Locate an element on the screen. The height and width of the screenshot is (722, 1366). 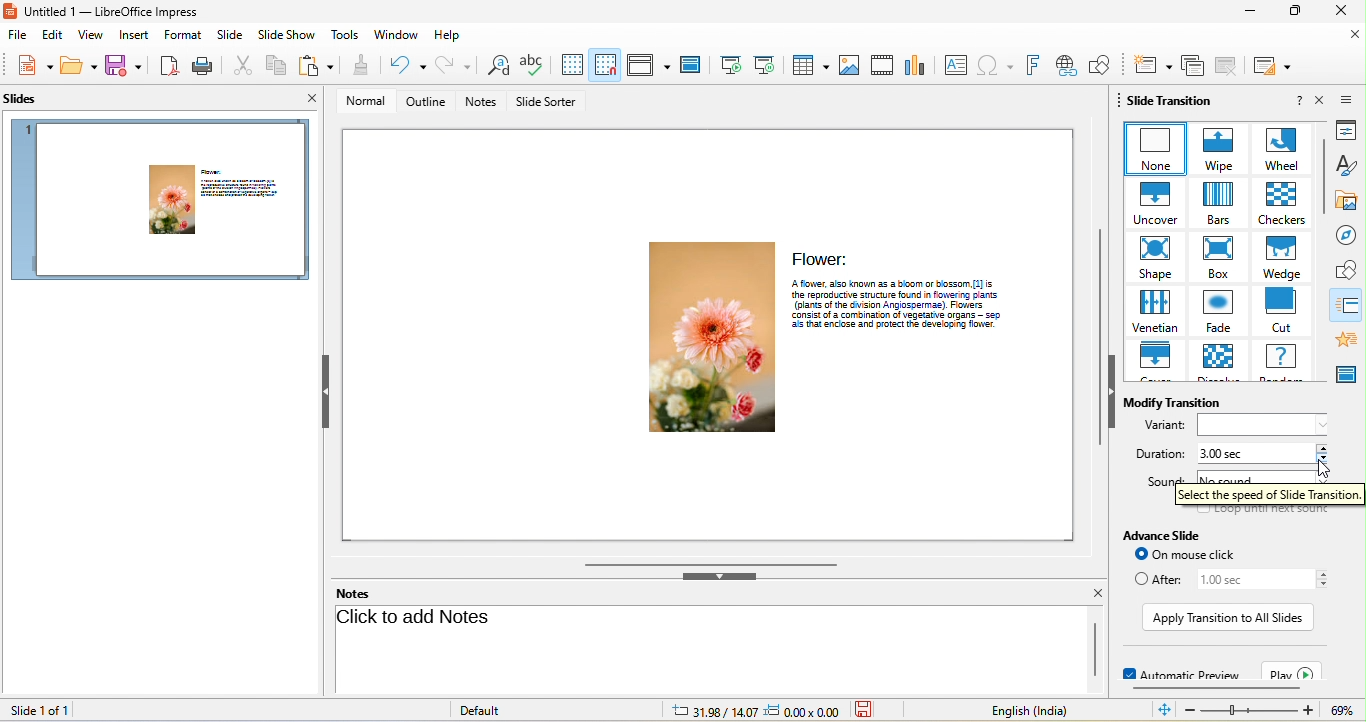
1.00 sec is located at coordinates (1250, 579).